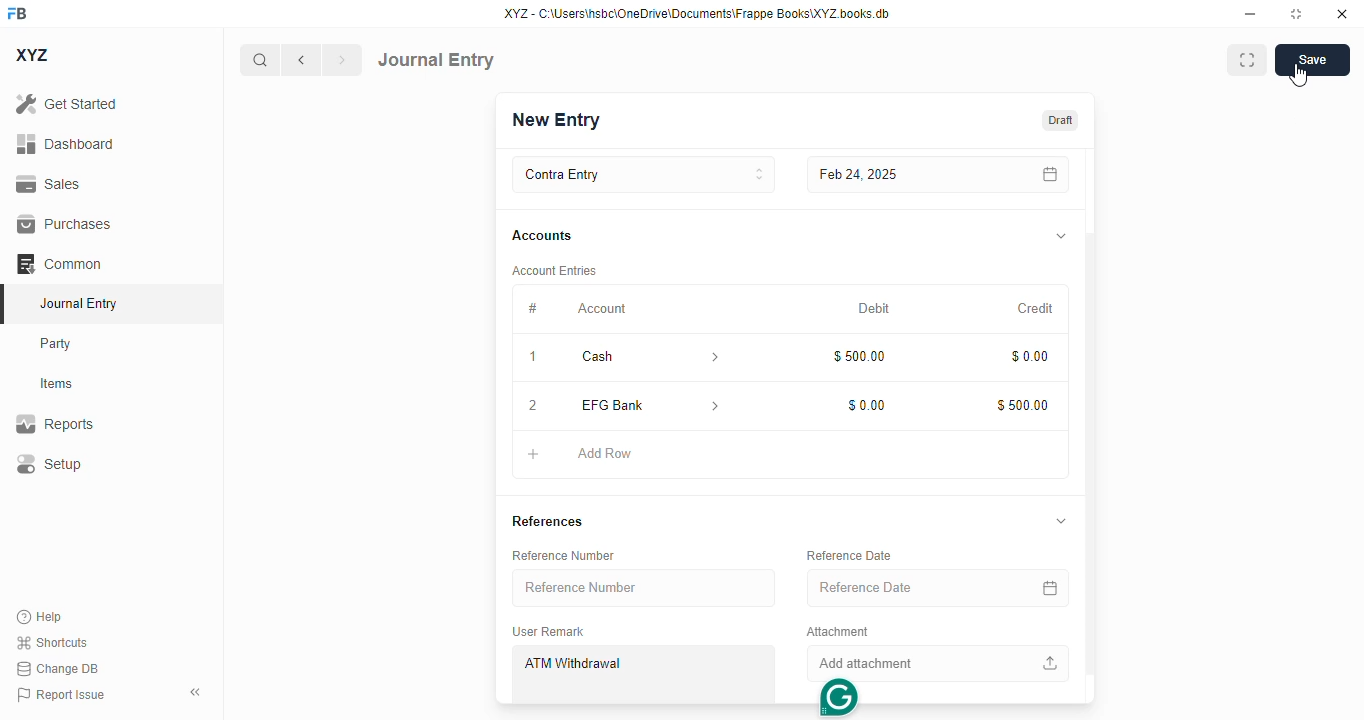 The image size is (1364, 720). Describe the element at coordinates (80, 303) in the screenshot. I see `journal entry` at that location.